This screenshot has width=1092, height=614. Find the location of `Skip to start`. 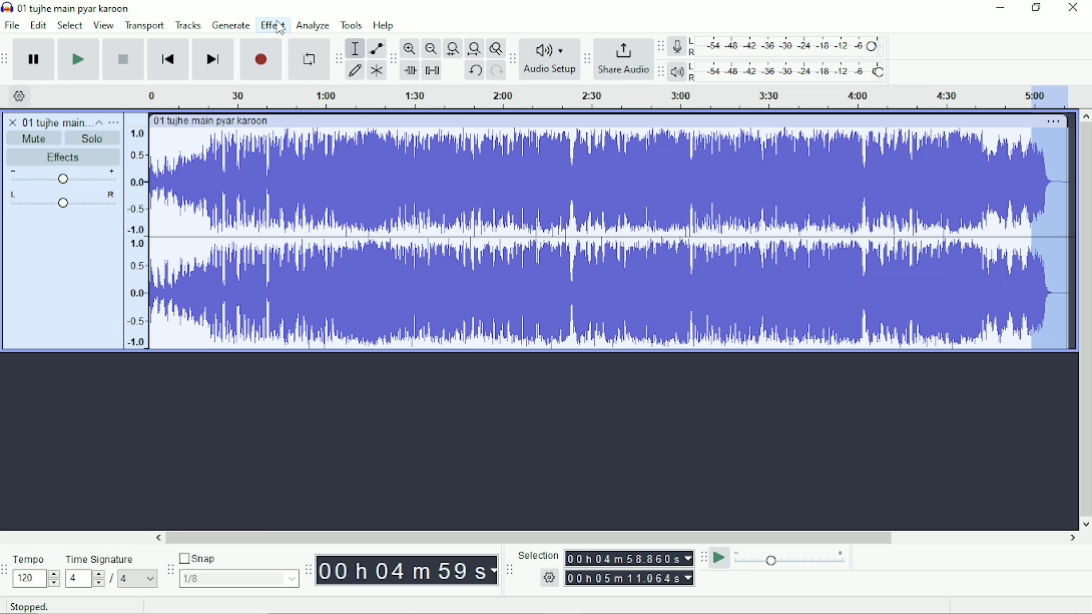

Skip to start is located at coordinates (168, 60).